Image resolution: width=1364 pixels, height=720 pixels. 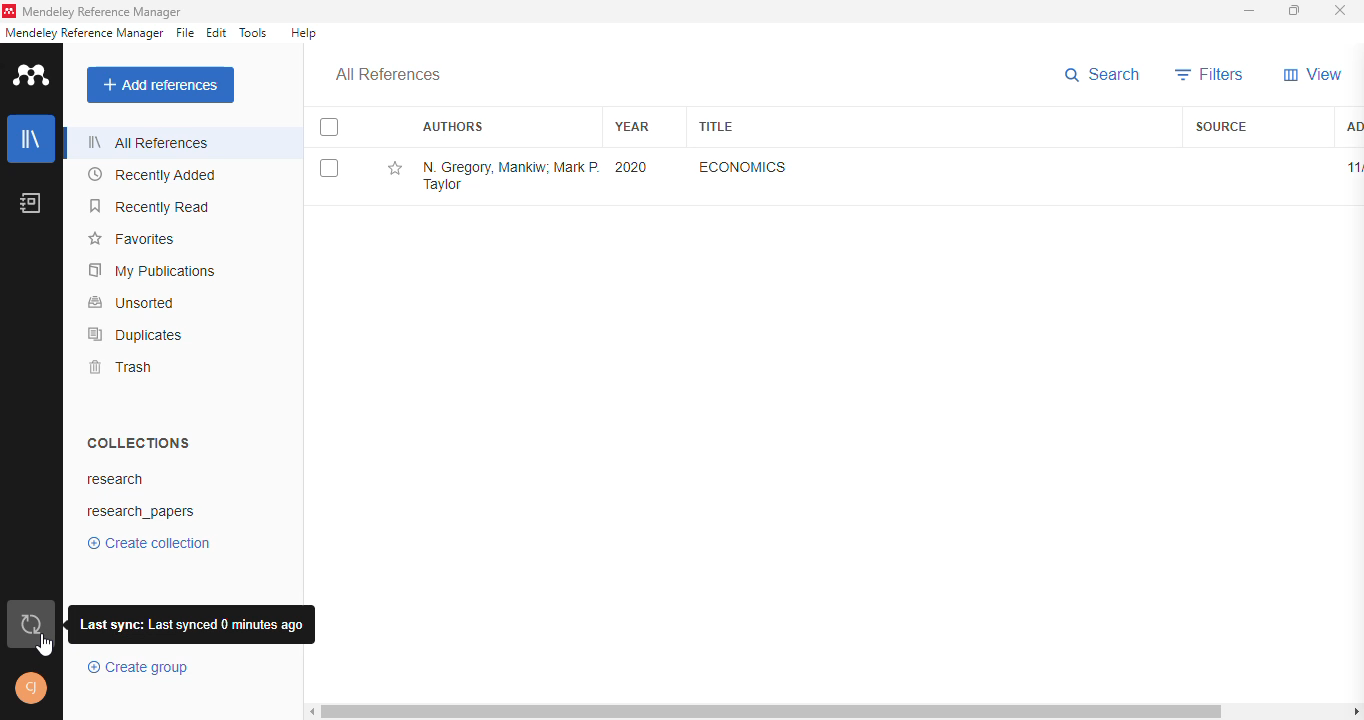 I want to click on cursor, so click(x=45, y=647).